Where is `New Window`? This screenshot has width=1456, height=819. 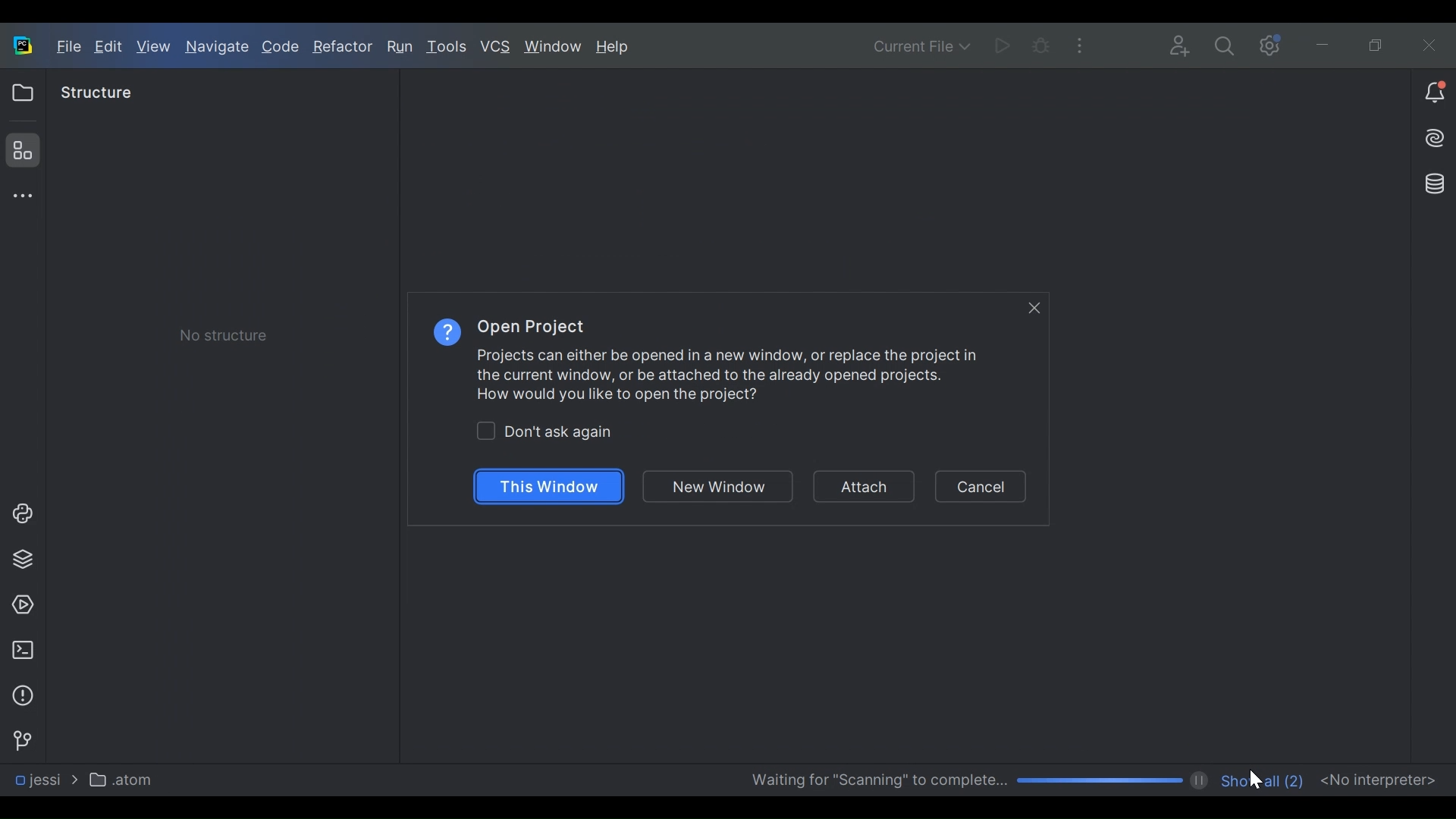
New Window is located at coordinates (727, 488).